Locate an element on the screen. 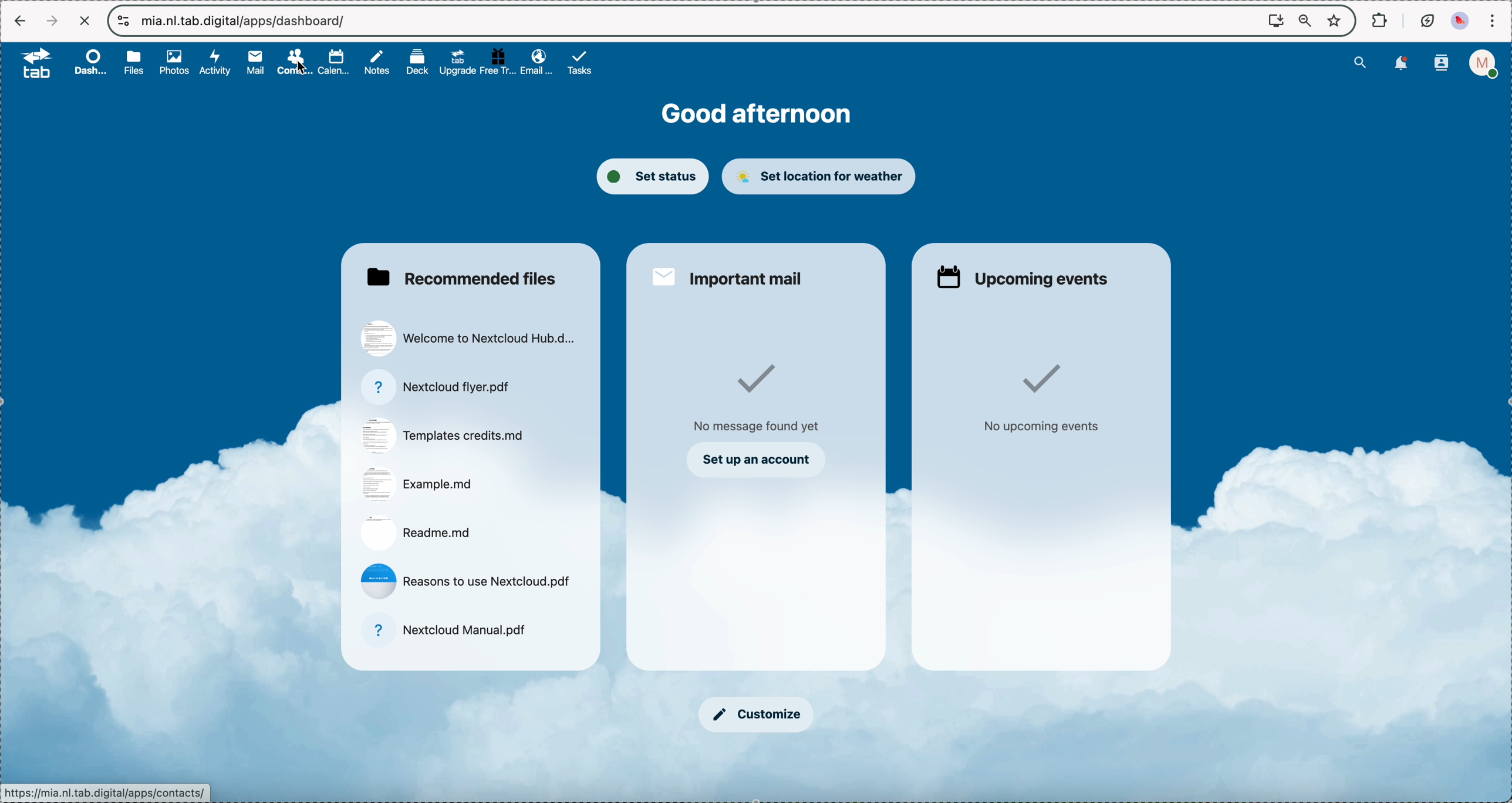 Image resolution: width=1512 pixels, height=803 pixels. dashboard is located at coordinates (88, 63).